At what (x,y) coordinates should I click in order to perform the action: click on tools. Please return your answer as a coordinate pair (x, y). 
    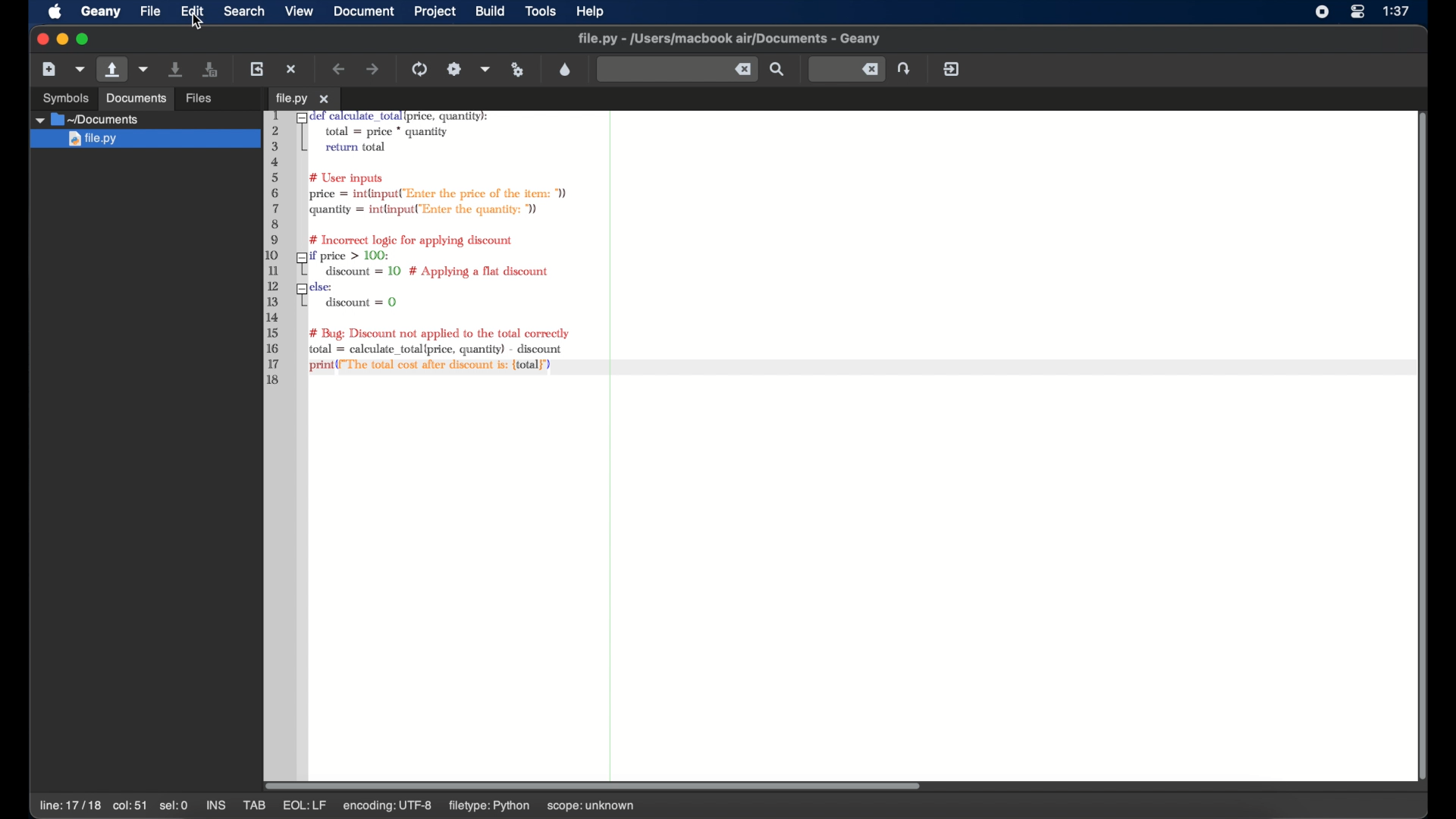
    Looking at the image, I should click on (541, 12).